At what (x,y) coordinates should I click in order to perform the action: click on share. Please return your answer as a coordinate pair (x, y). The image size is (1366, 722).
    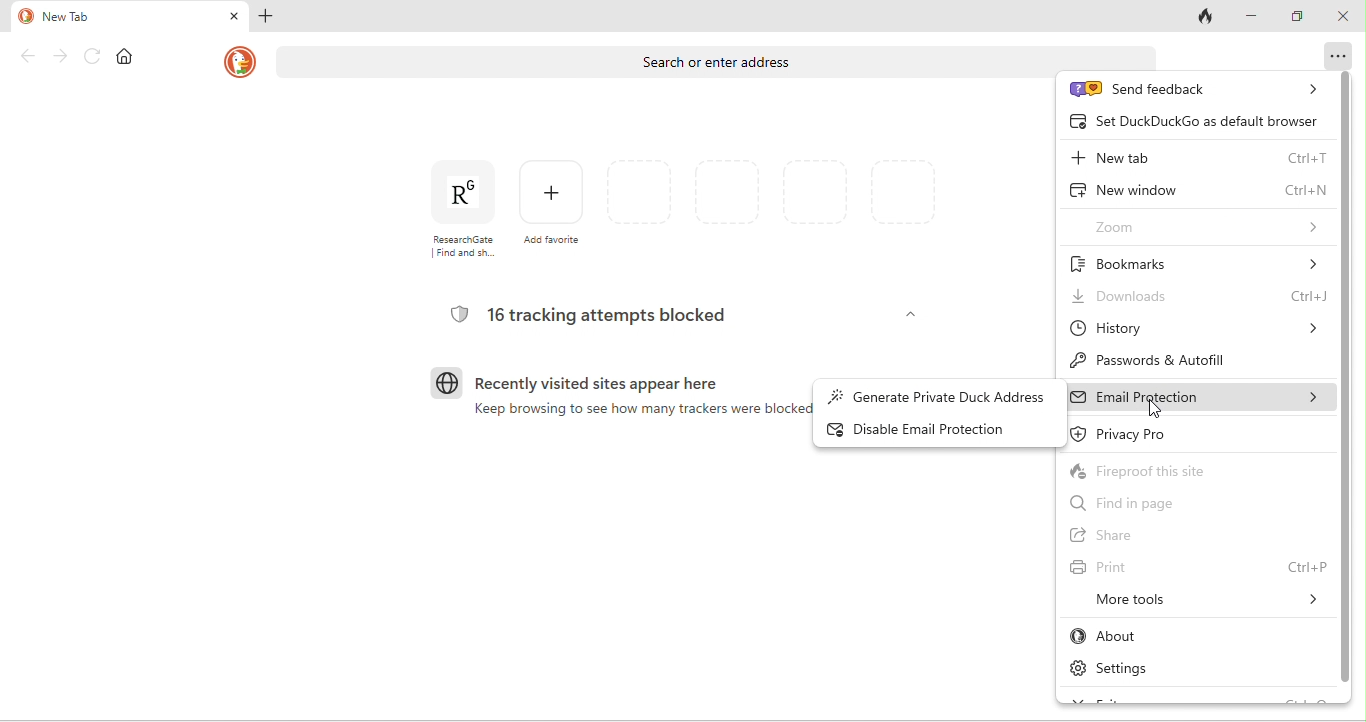
    Looking at the image, I should click on (1143, 532).